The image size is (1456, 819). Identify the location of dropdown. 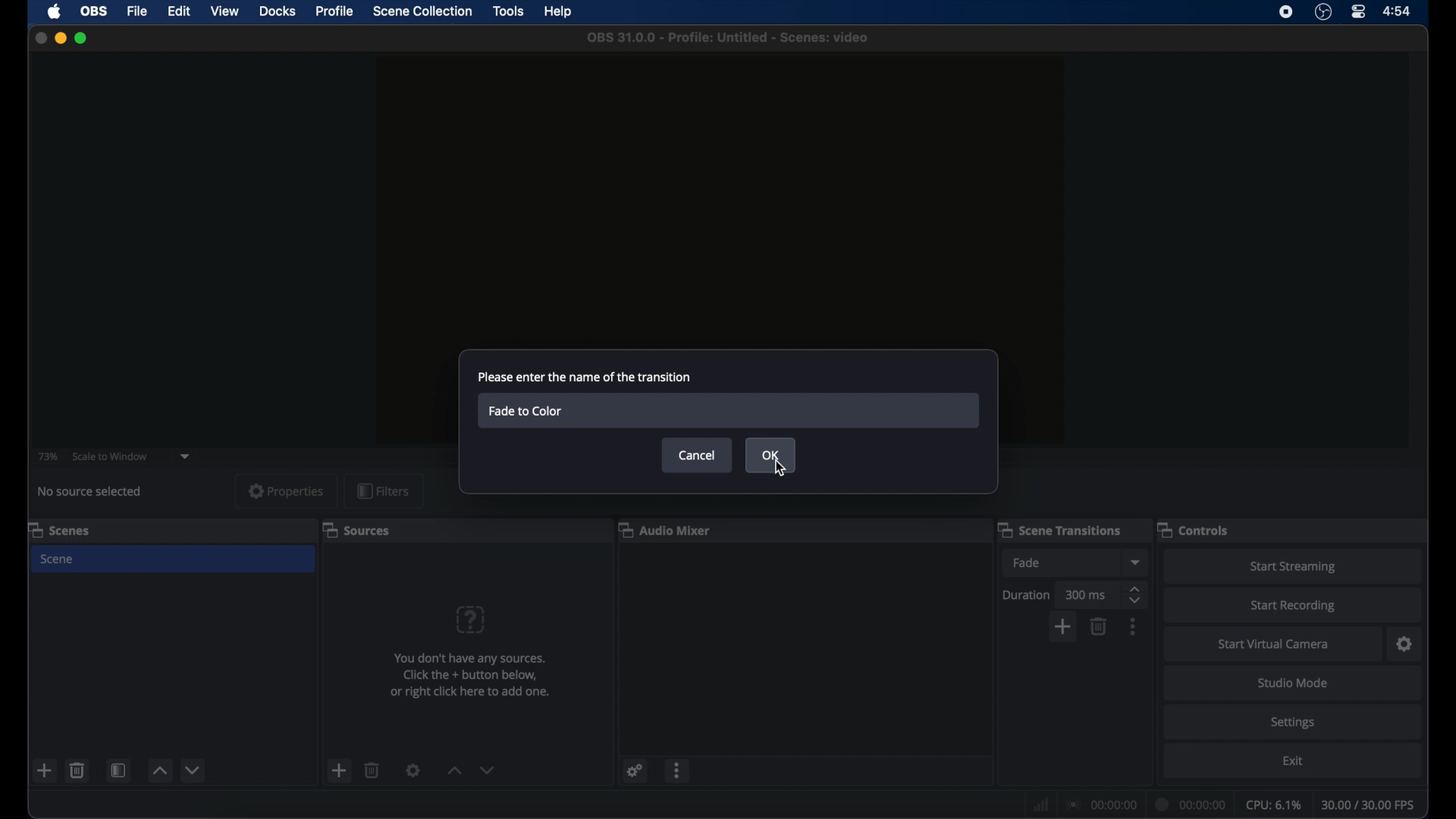
(187, 455).